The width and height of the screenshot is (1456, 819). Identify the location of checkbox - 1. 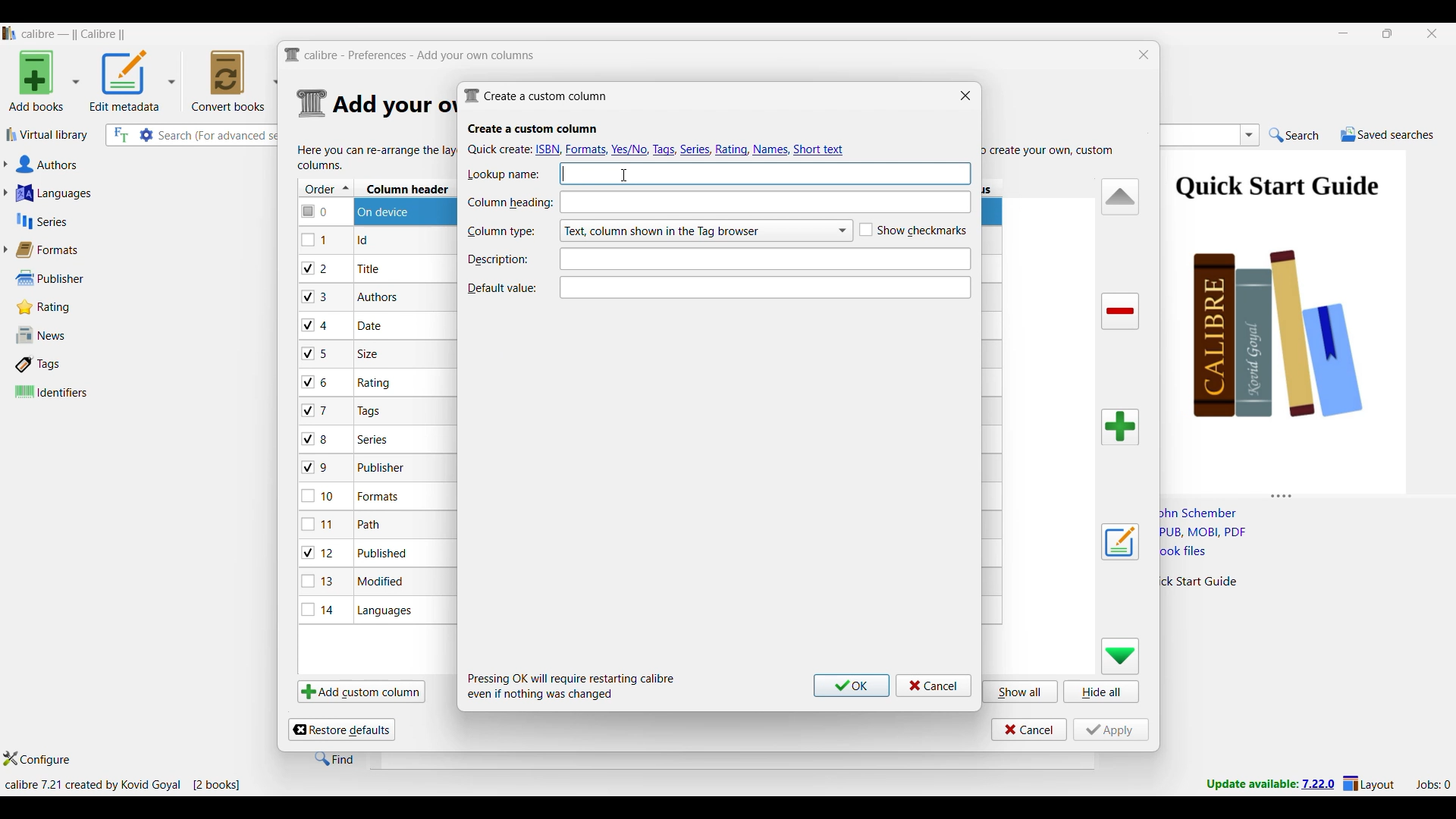
(316, 240).